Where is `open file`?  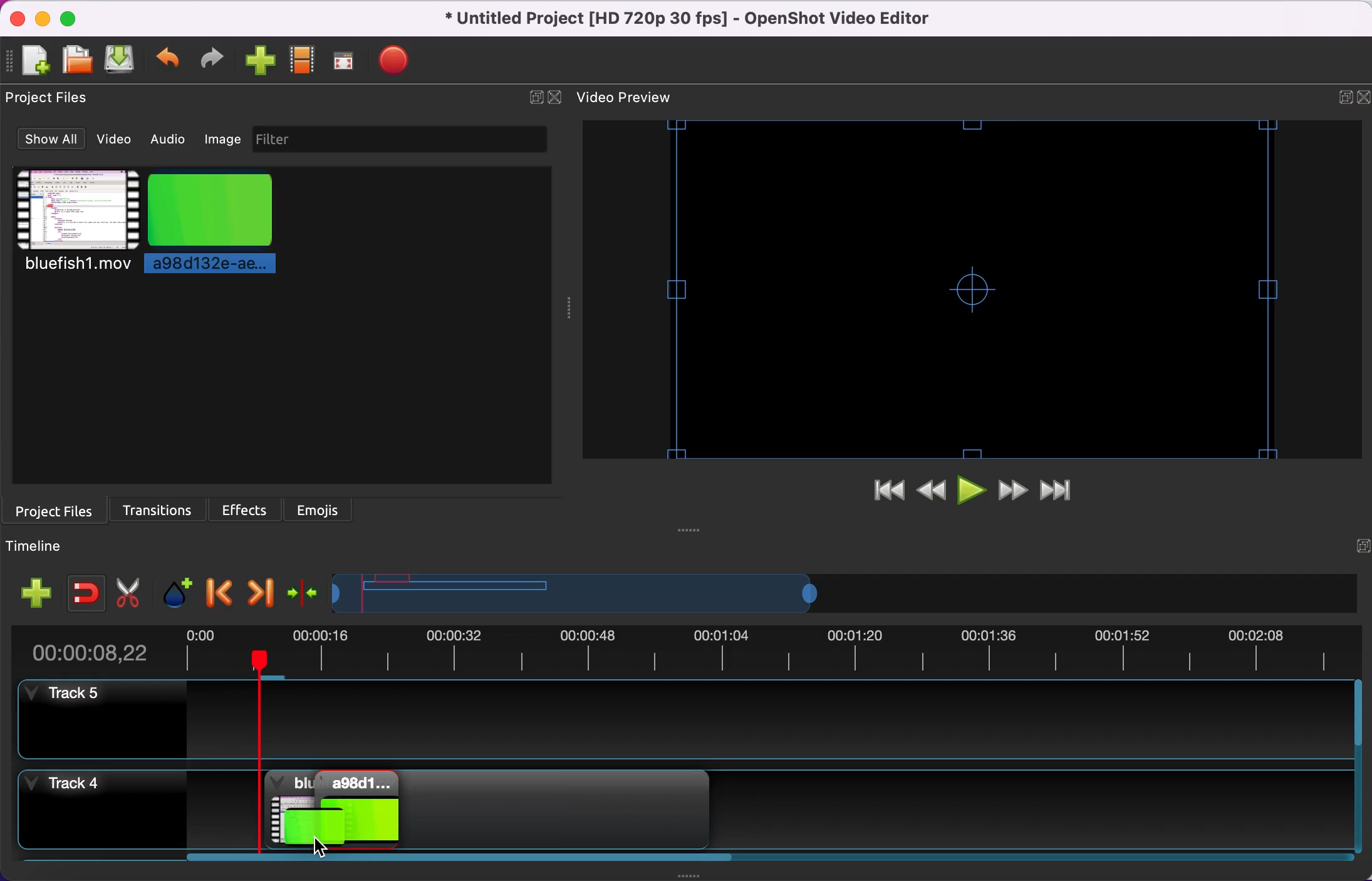
open file is located at coordinates (75, 58).